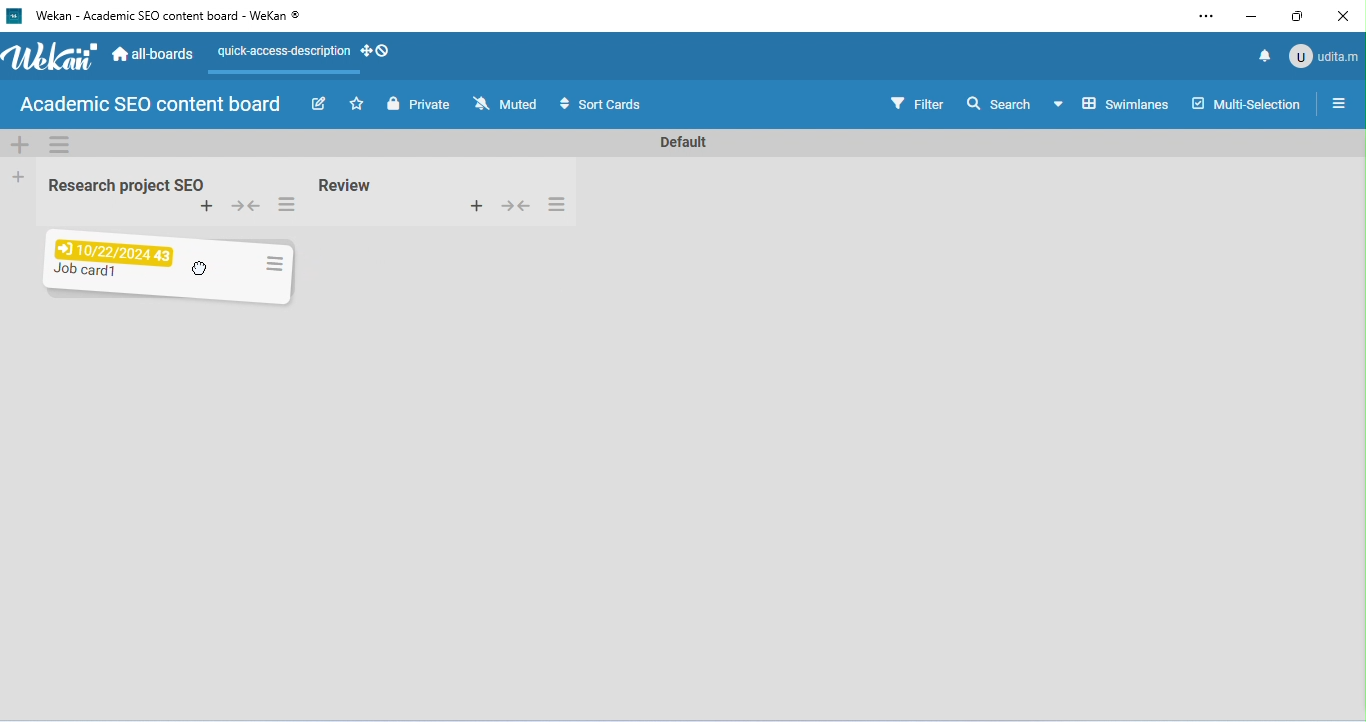 The image size is (1366, 722). Describe the element at coordinates (377, 50) in the screenshot. I see `show-desktop-drag-handles` at that location.